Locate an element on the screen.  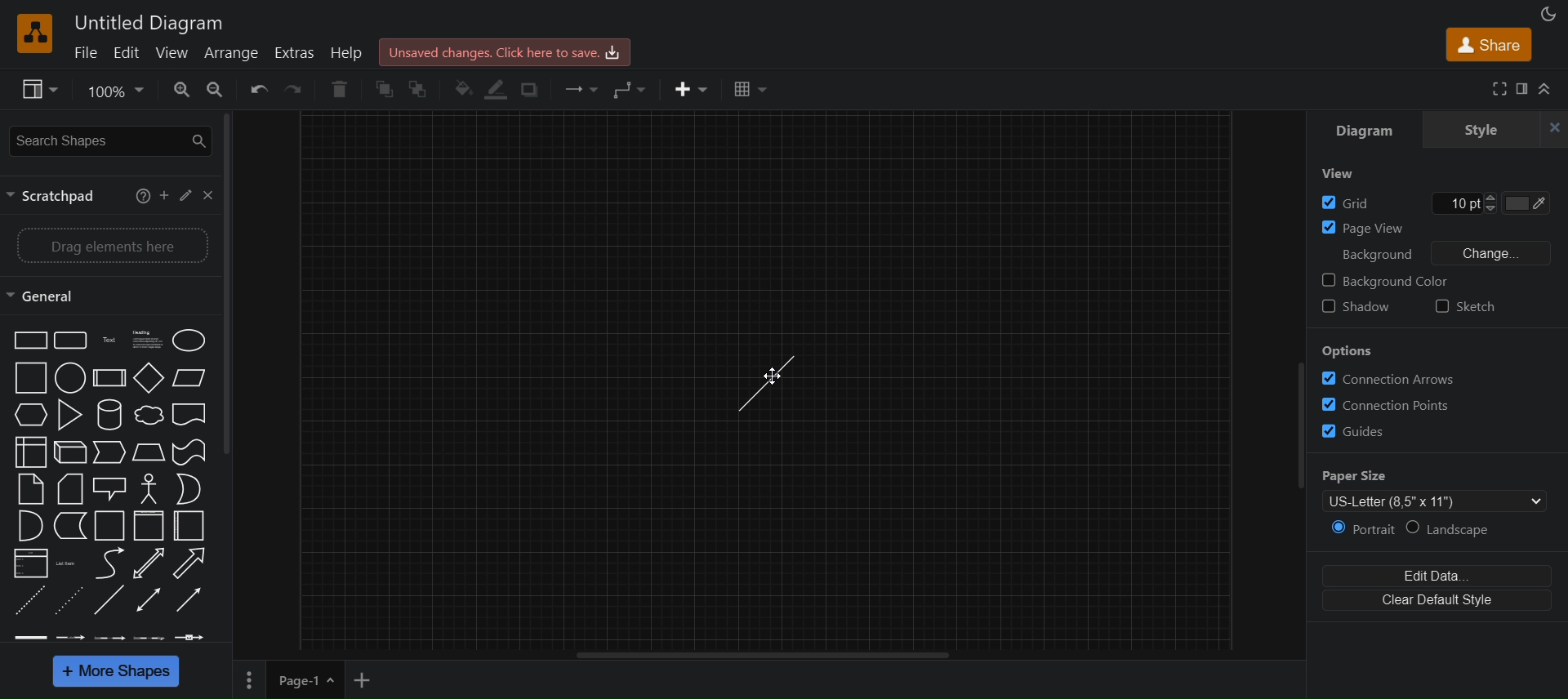
Document is located at coordinates (191, 416).